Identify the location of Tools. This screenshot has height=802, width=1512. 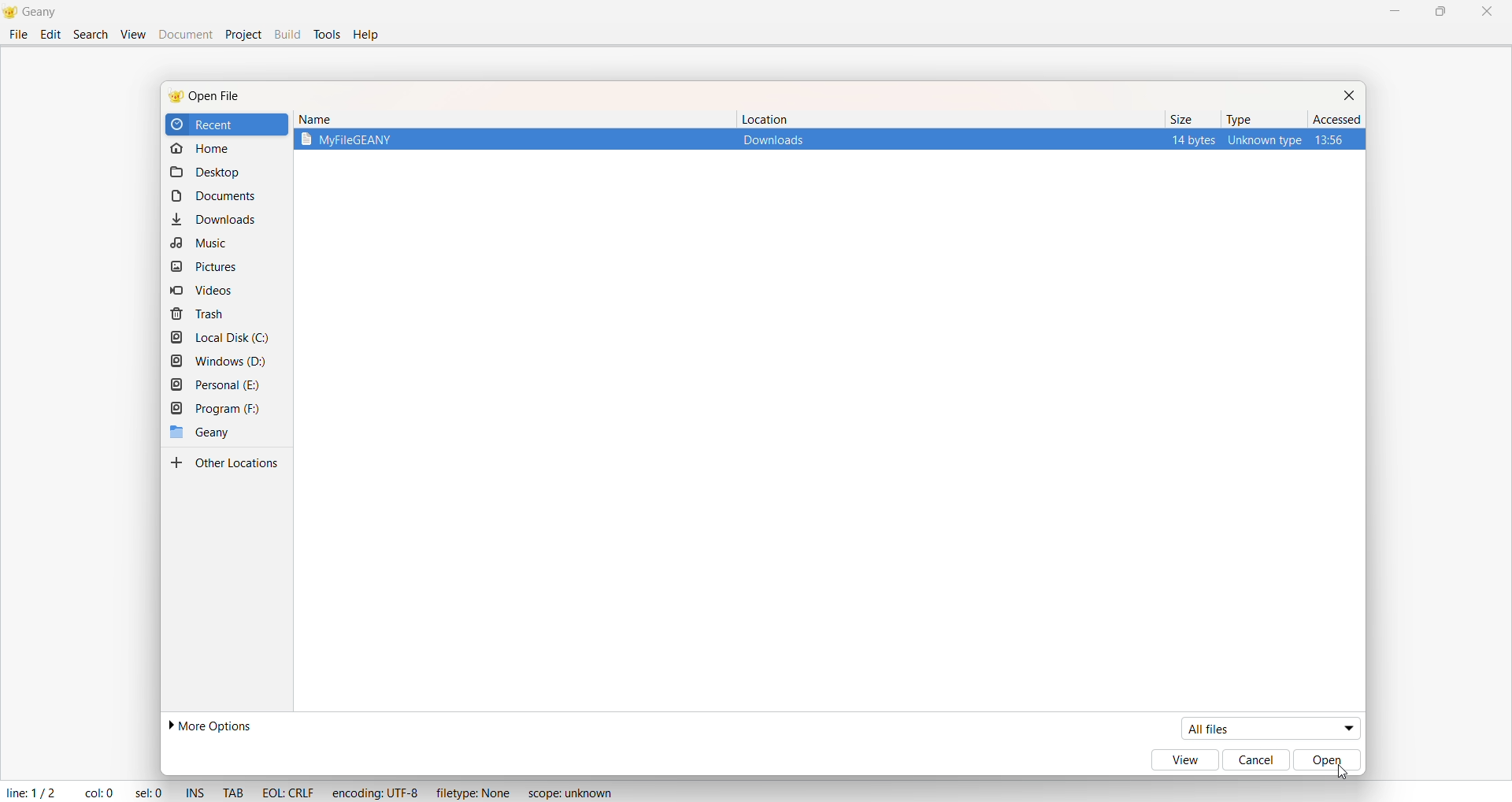
(328, 34).